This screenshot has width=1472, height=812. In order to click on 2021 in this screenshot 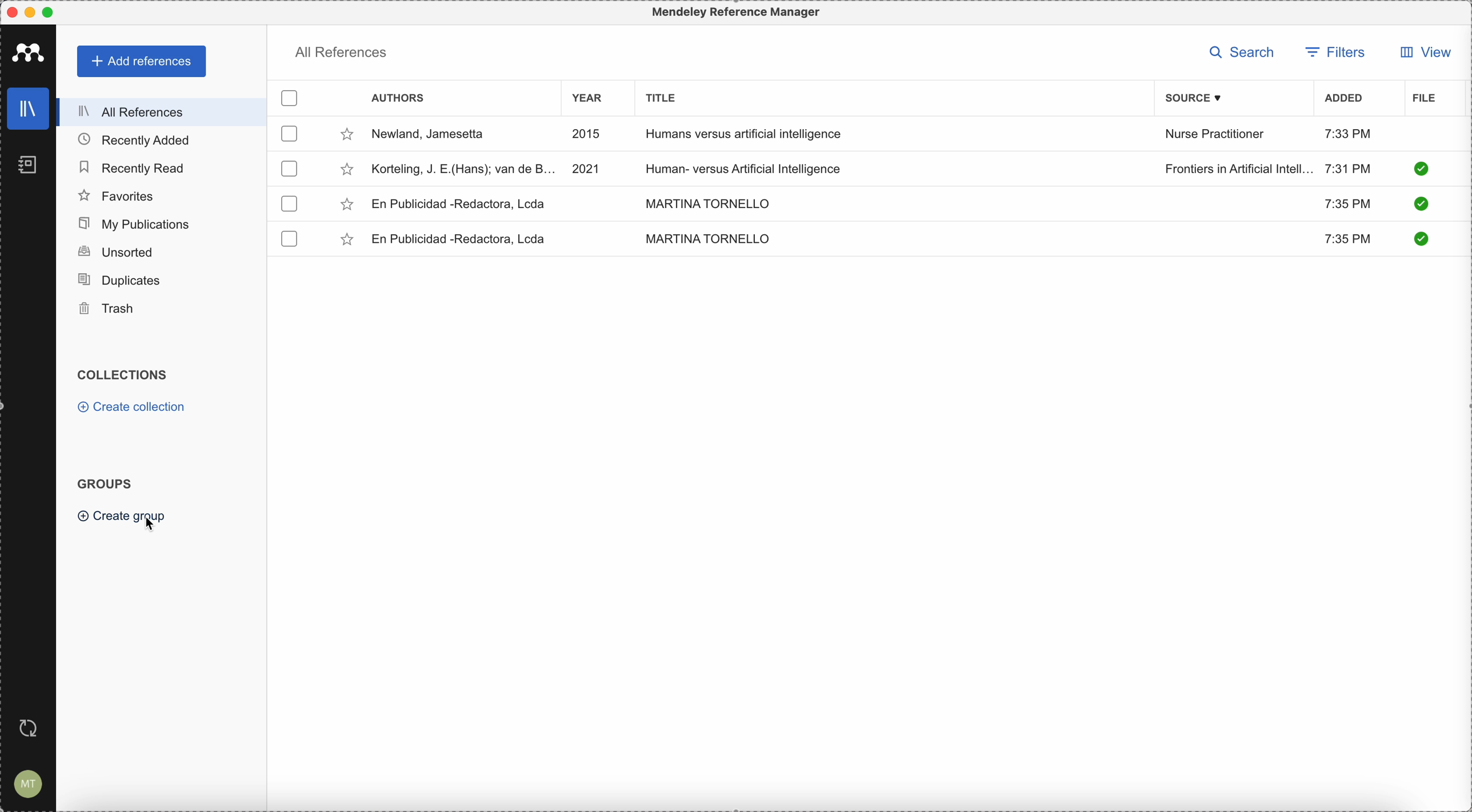, I will do `click(587, 167)`.